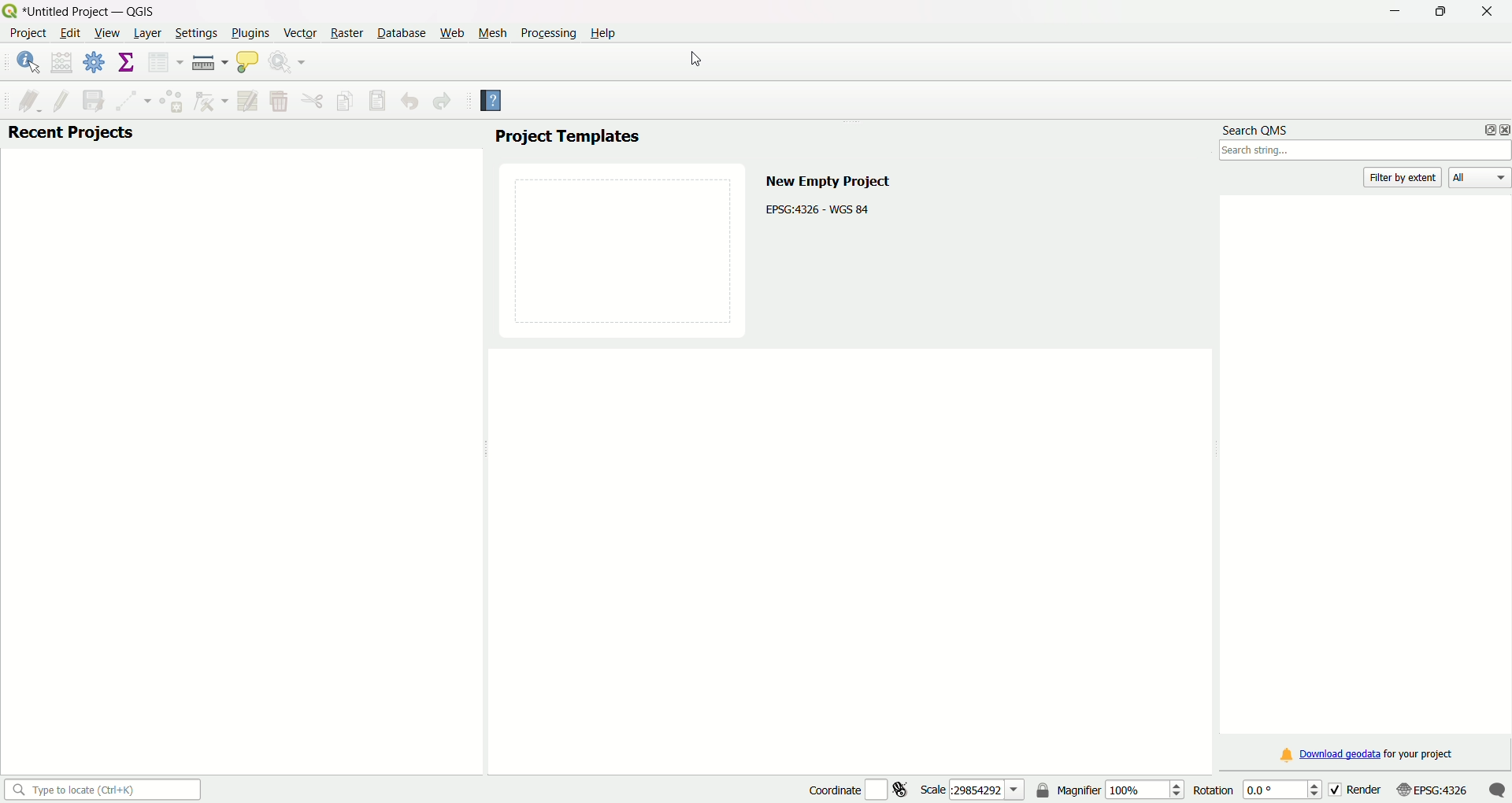 The image size is (1512, 803). Describe the element at coordinates (1252, 789) in the screenshot. I see `rotation` at that location.